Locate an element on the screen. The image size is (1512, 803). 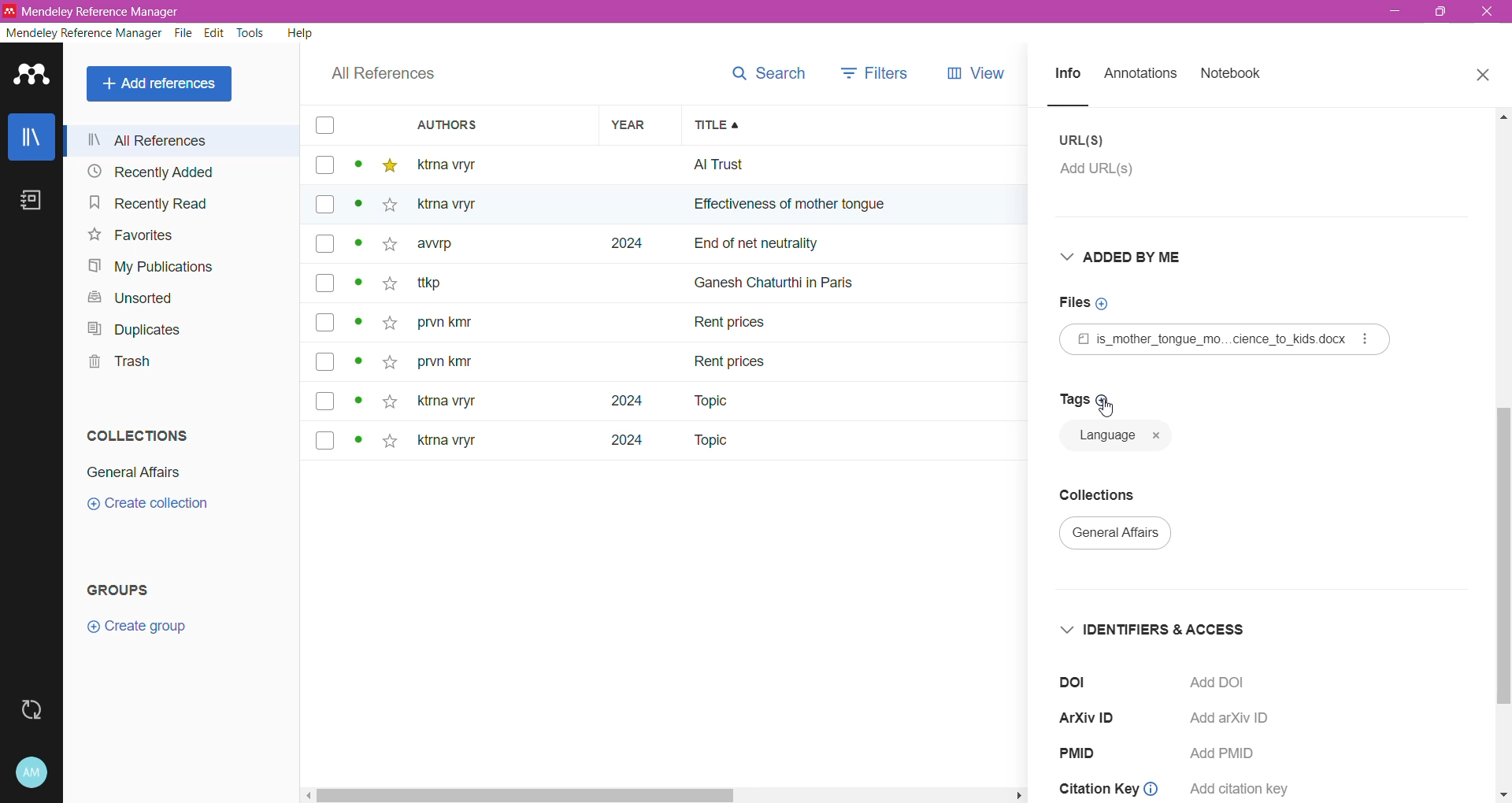
exit is located at coordinates (1490, 16).